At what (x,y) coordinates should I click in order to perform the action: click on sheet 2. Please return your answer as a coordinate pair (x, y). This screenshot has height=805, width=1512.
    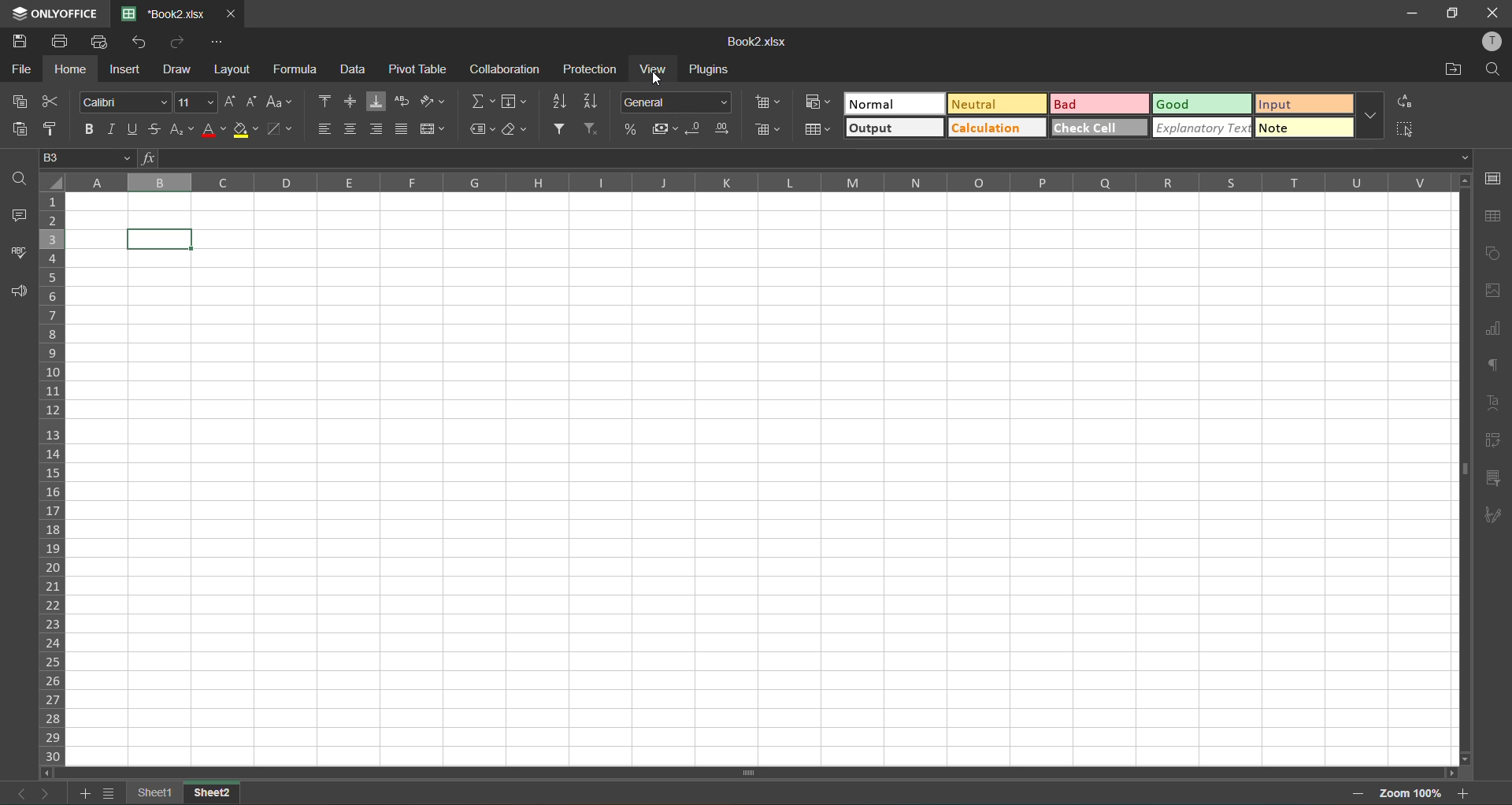
    Looking at the image, I should click on (213, 793).